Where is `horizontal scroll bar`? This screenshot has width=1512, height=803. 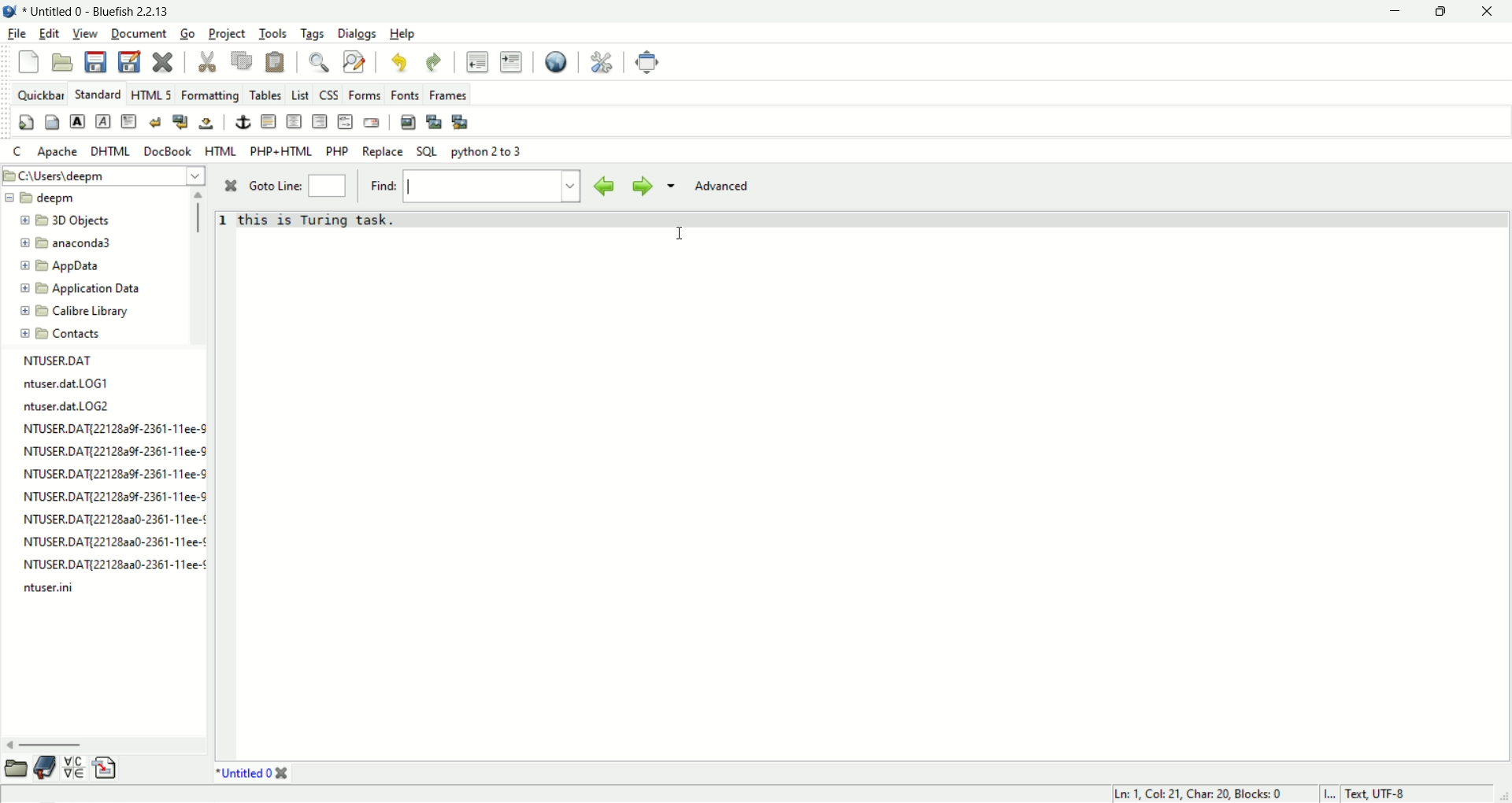
horizontal scroll bar is located at coordinates (53, 744).